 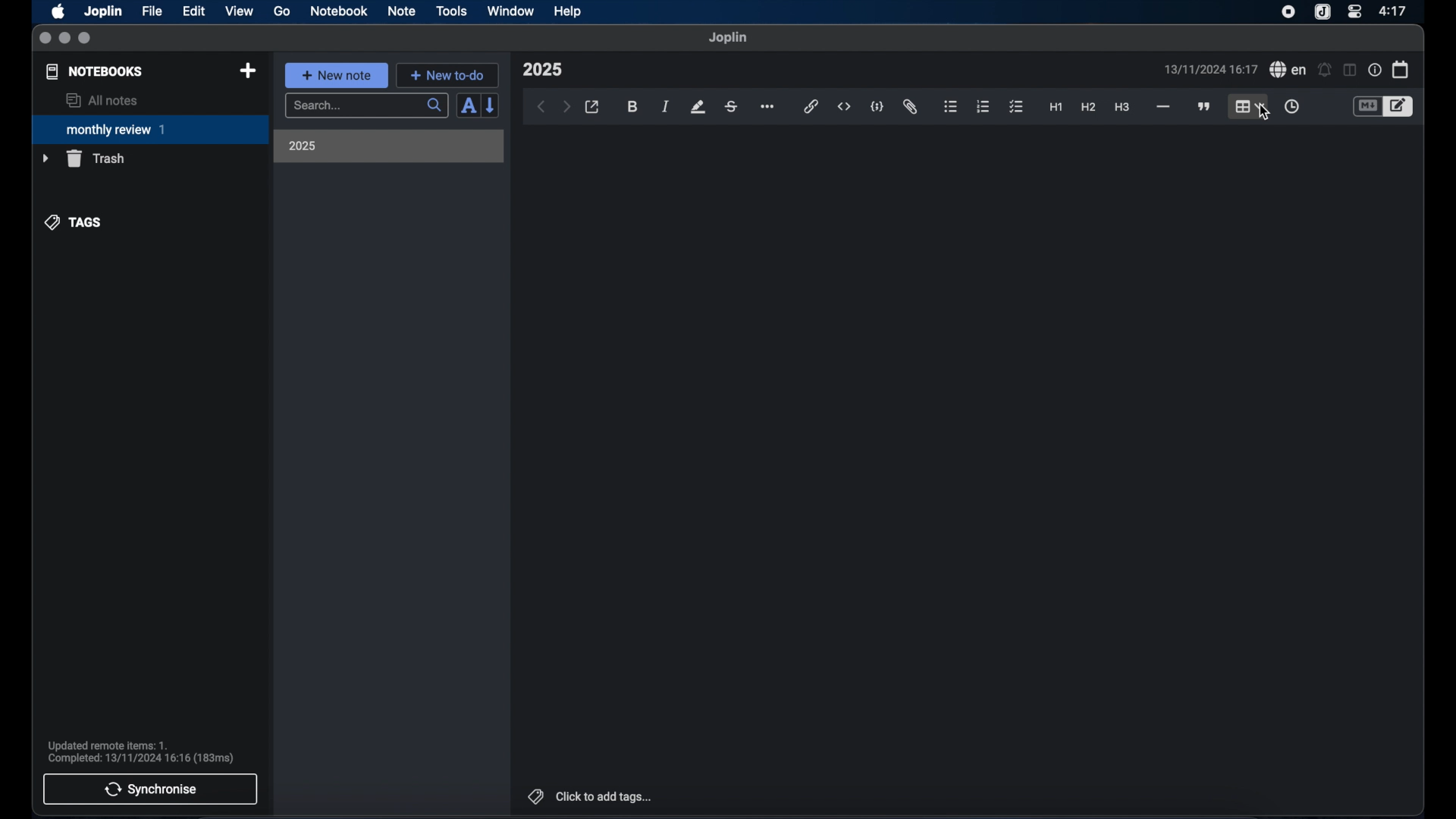 What do you see at coordinates (811, 106) in the screenshot?
I see `hyperlink` at bounding box center [811, 106].